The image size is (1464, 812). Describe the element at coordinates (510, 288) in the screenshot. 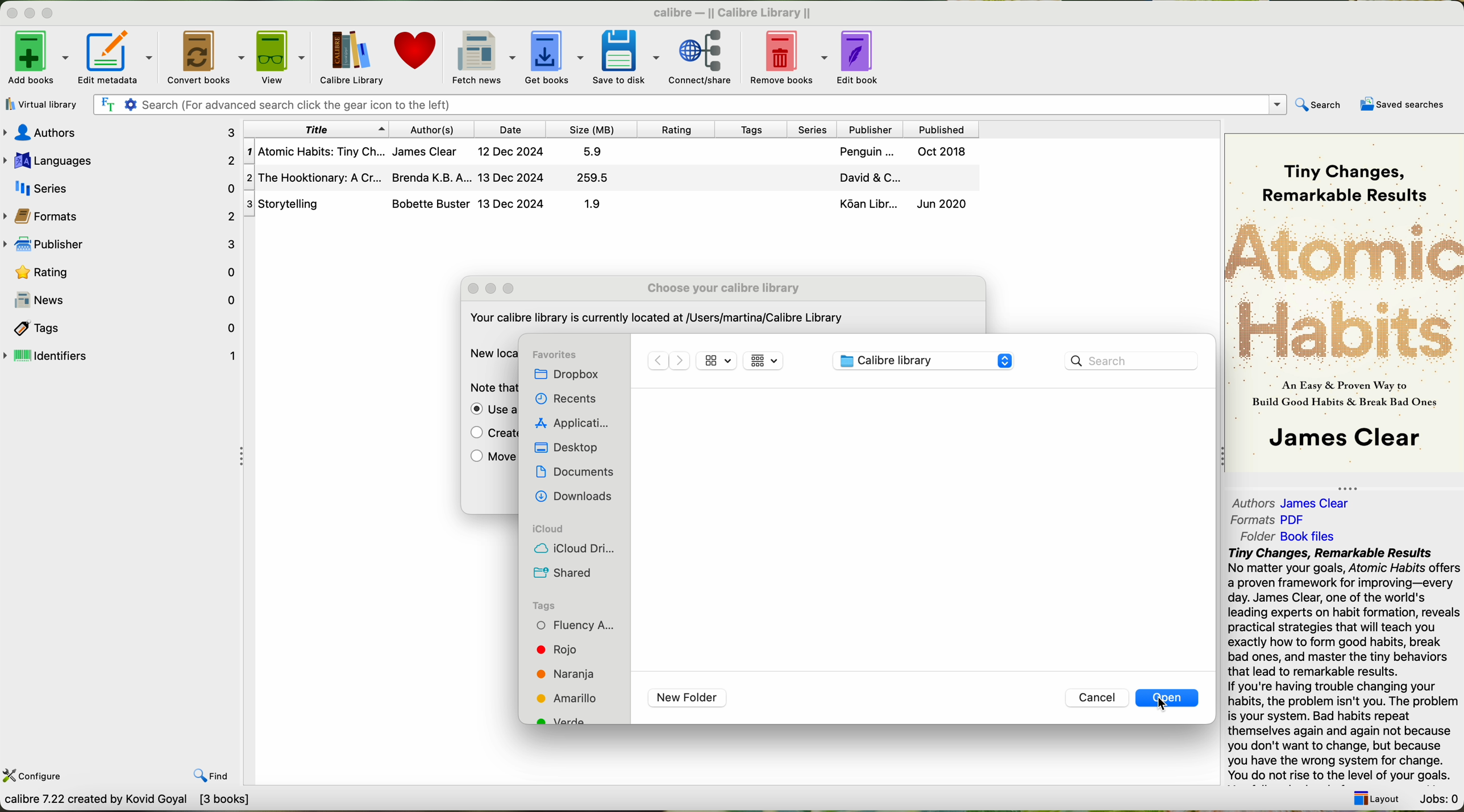

I see `maximize window` at that location.